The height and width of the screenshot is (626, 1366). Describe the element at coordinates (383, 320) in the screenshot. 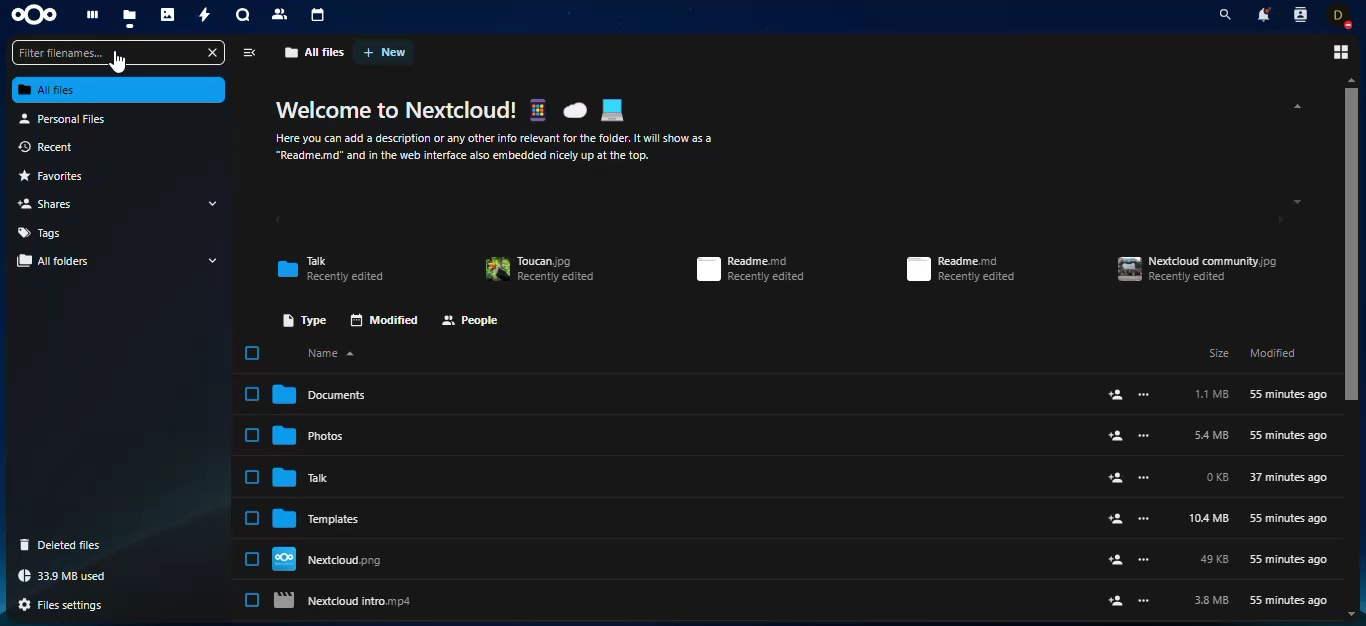

I see `modified` at that location.